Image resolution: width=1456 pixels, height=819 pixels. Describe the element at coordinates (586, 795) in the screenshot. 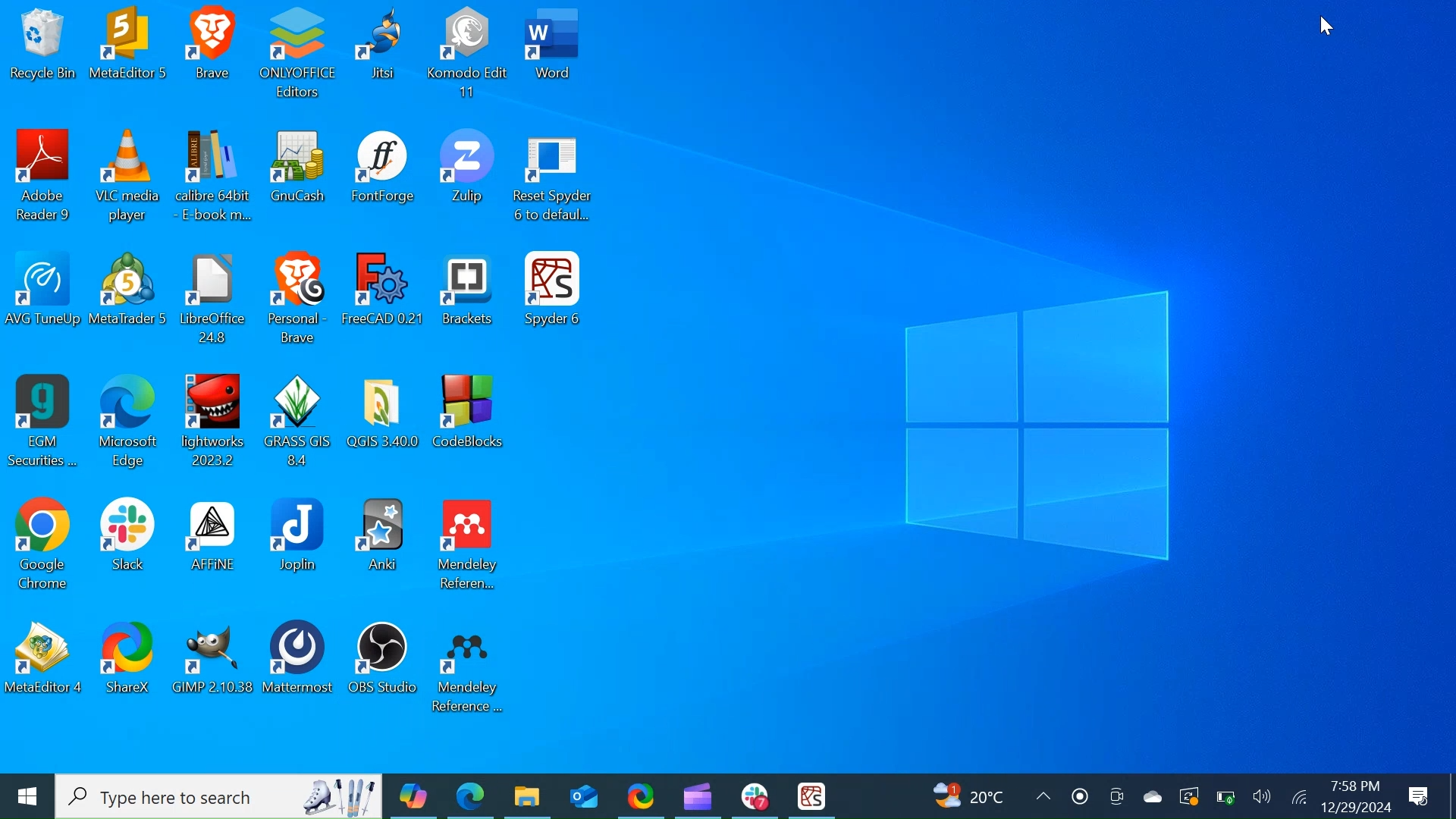

I see `Outlook` at that location.